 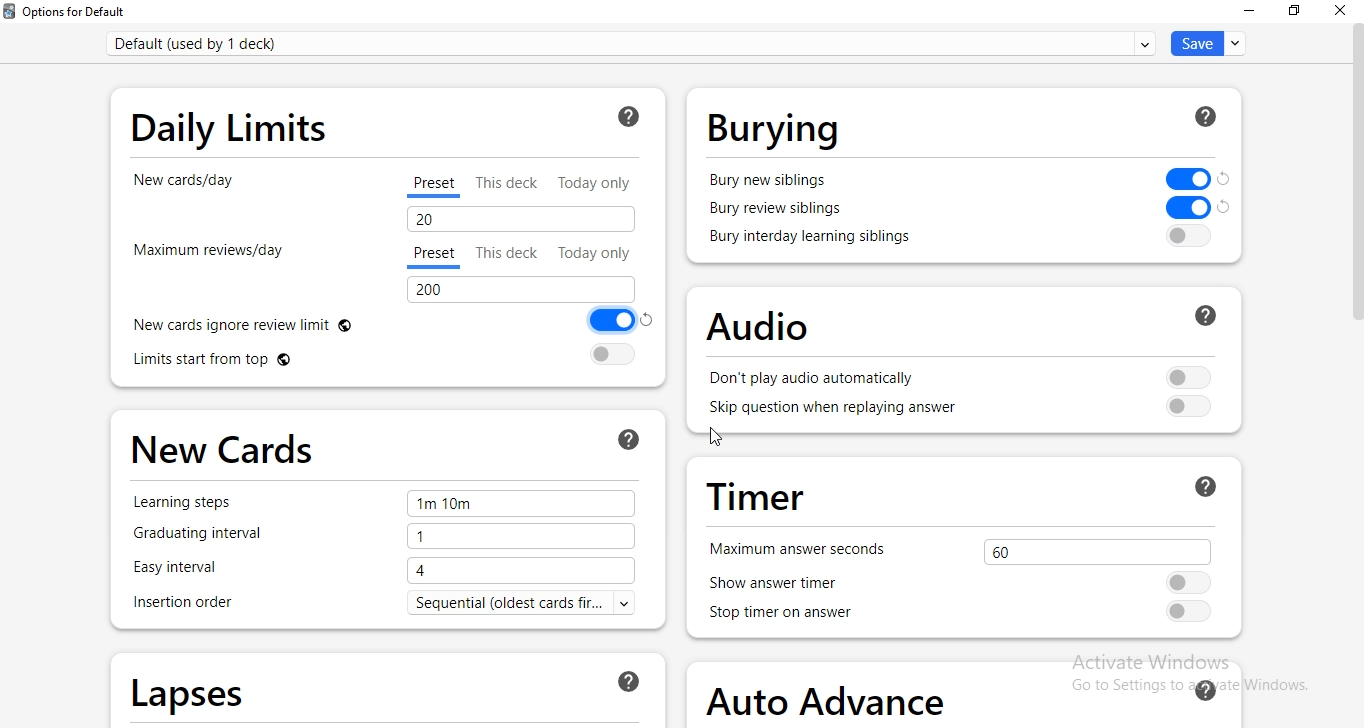 I want to click on toggle, so click(x=611, y=354).